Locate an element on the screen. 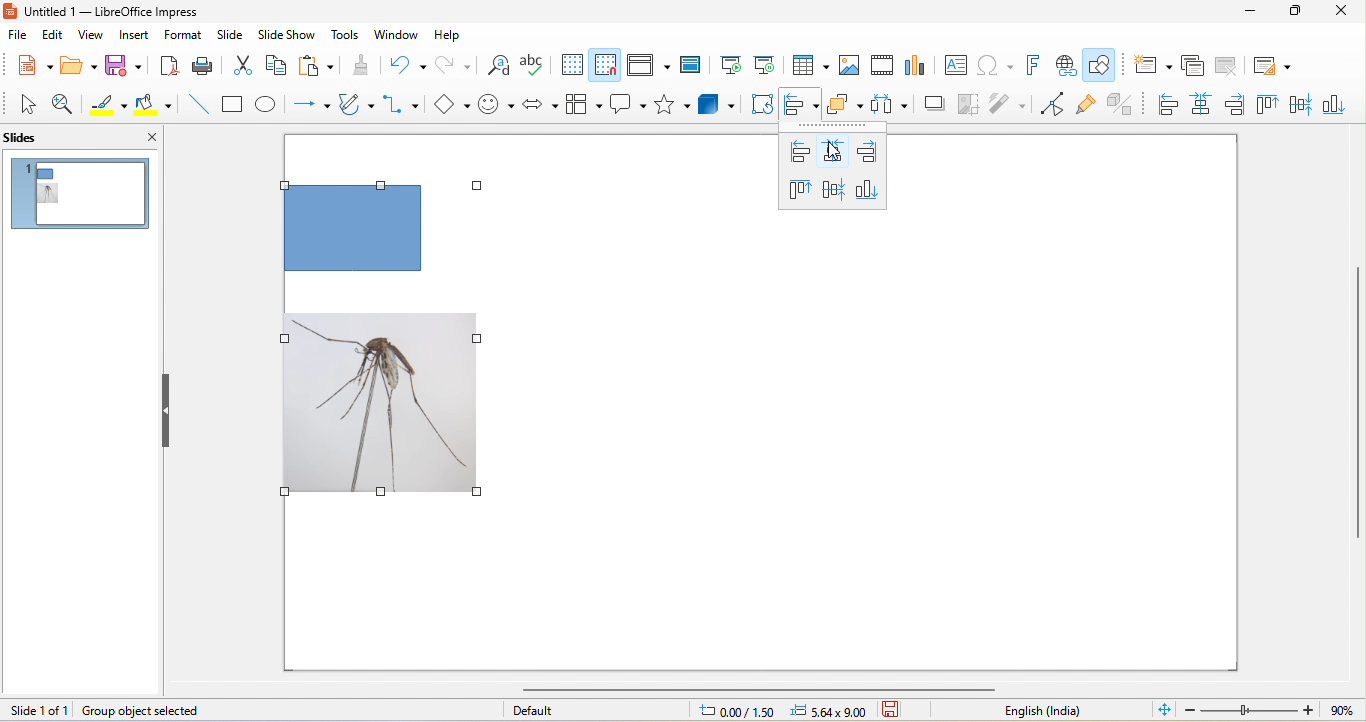 This screenshot has width=1366, height=722. close is located at coordinates (139, 137).